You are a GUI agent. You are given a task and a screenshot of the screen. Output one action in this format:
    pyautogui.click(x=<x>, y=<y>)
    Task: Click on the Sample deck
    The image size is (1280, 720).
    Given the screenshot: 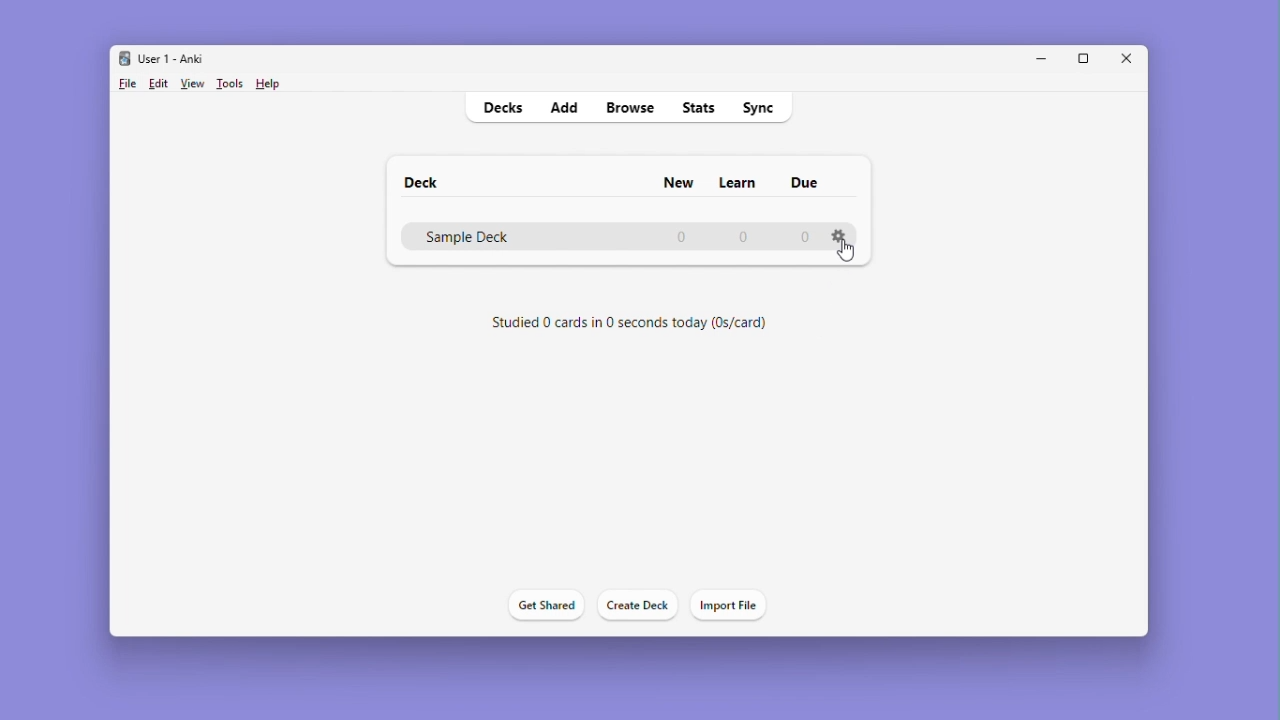 What is the action you would take?
    pyautogui.click(x=510, y=237)
    